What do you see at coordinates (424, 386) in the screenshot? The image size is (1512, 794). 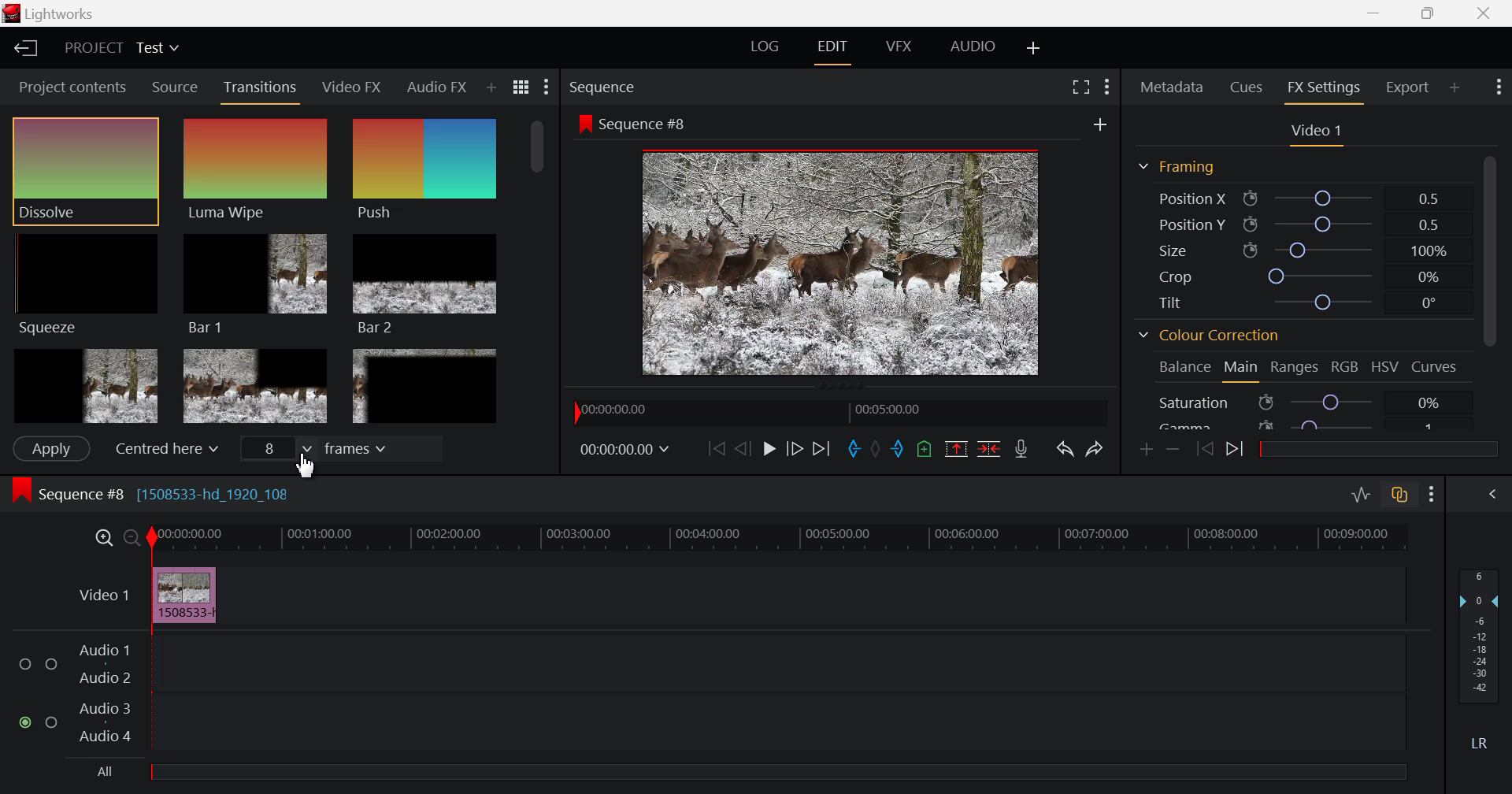 I see `Box 3` at bounding box center [424, 386].